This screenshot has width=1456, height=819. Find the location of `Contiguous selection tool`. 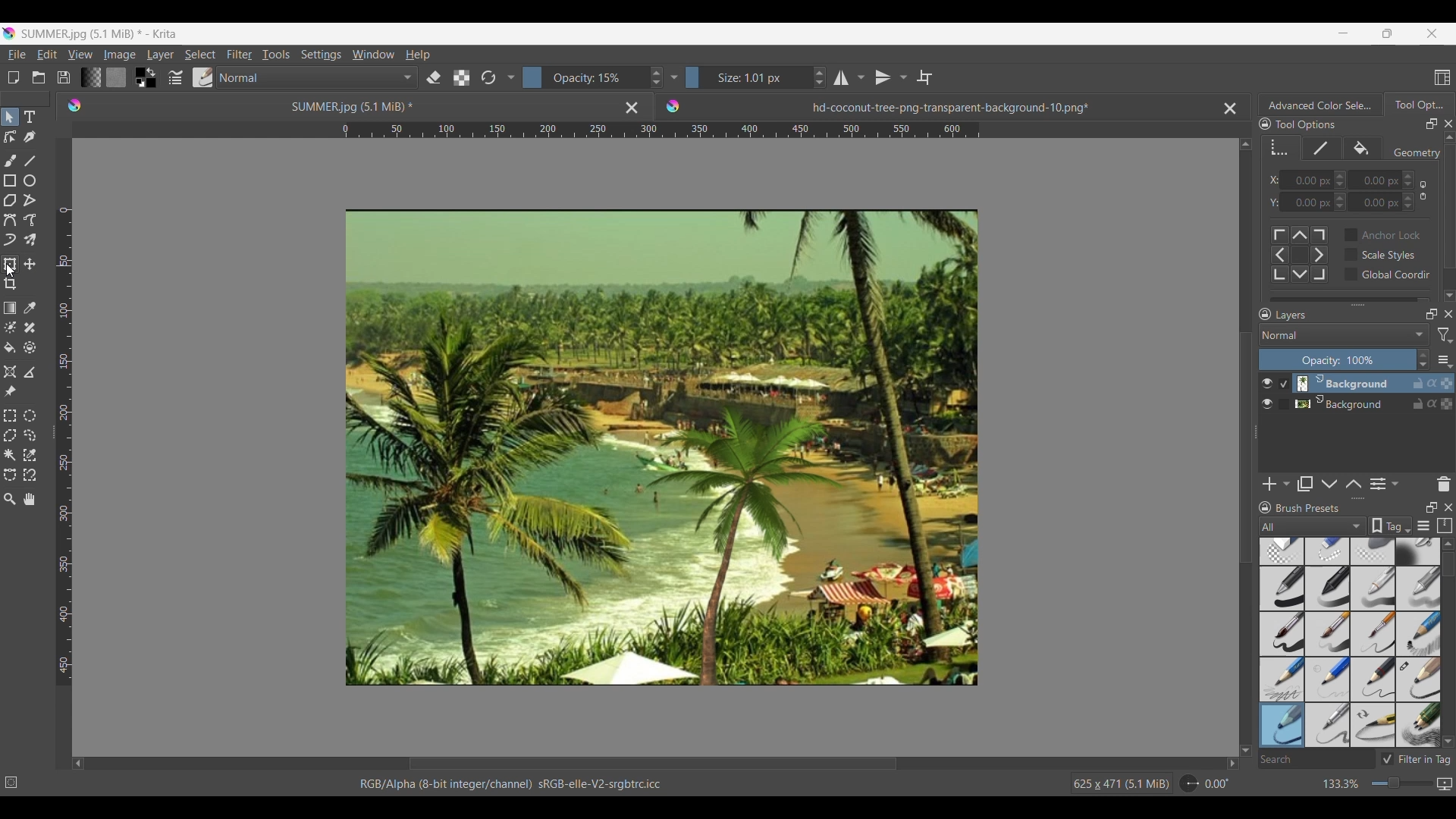

Contiguous selection tool is located at coordinates (10, 455).